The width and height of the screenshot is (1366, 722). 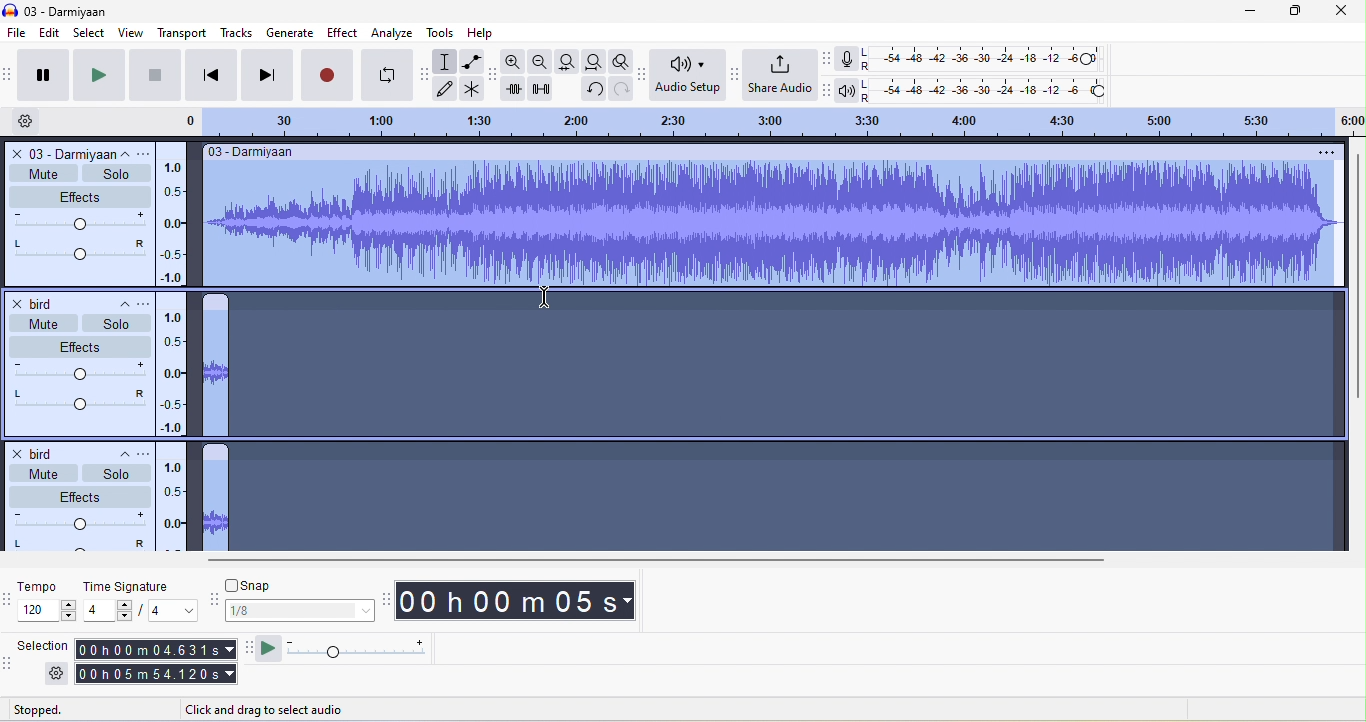 What do you see at coordinates (236, 33) in the screenshot?
I see `tracks` at bounding box center [236, 33].